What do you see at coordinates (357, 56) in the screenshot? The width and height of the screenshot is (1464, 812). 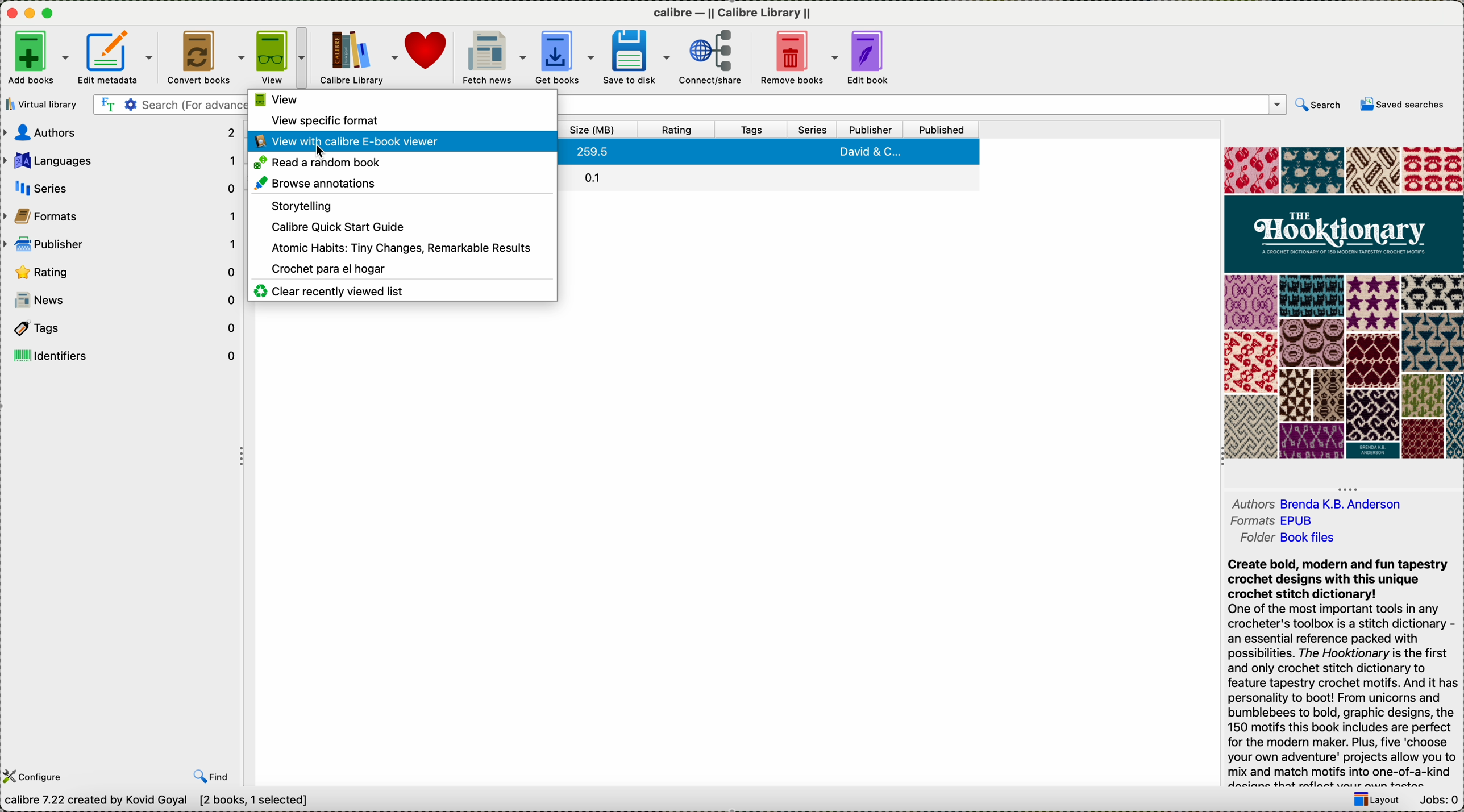 I see `Calibre library` at bounding box center [357, 56].